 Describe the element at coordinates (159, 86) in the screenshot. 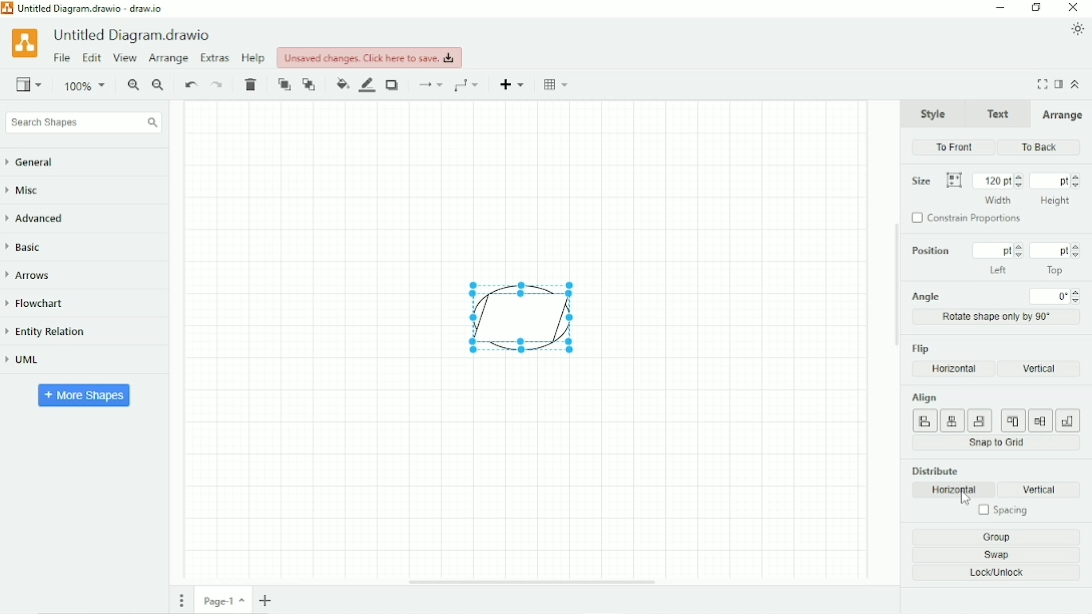

I see `Zoom out` at that location.